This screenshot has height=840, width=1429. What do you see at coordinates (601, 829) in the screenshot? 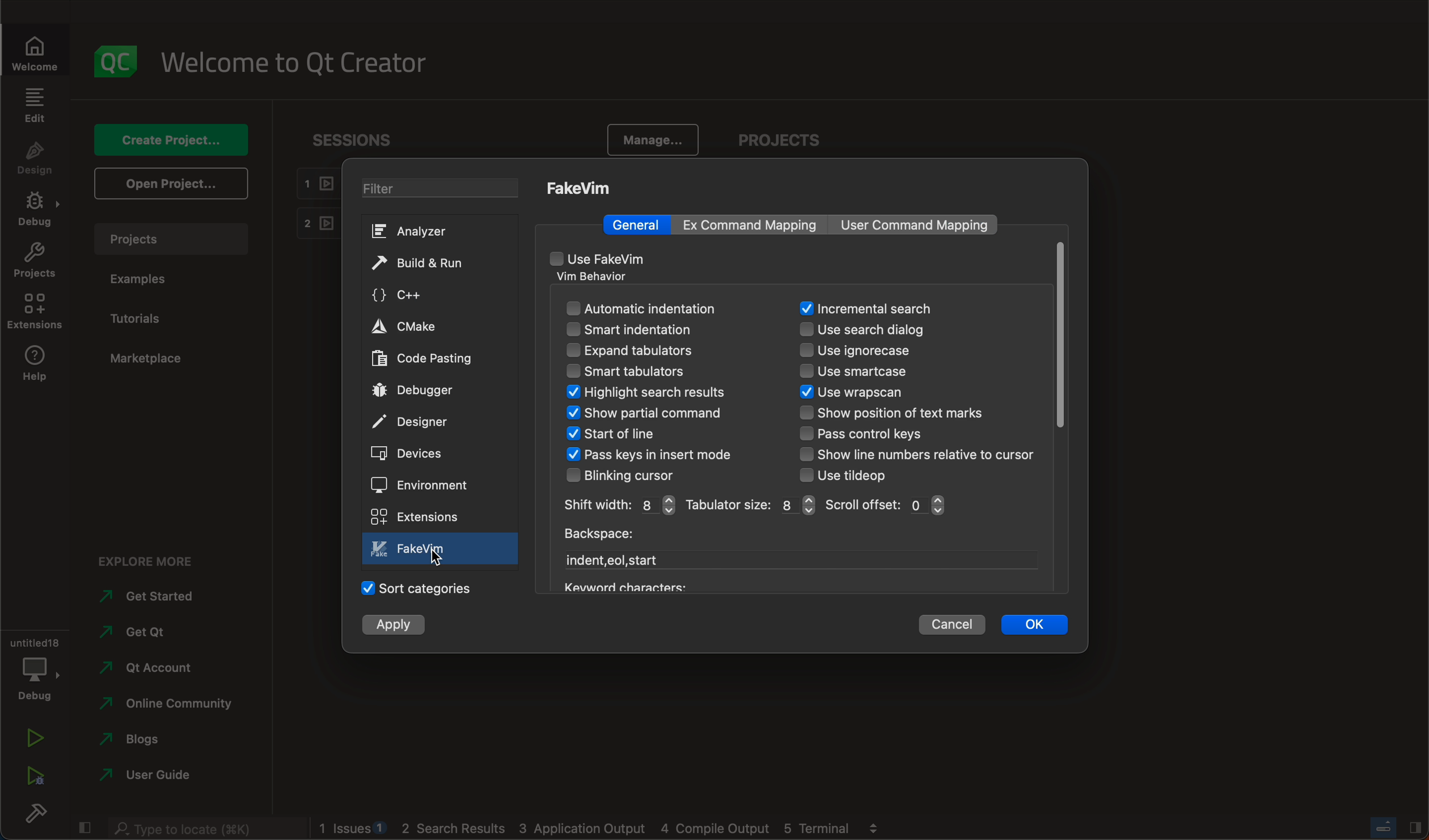
I see `logs` at bounding box center [601, 829].